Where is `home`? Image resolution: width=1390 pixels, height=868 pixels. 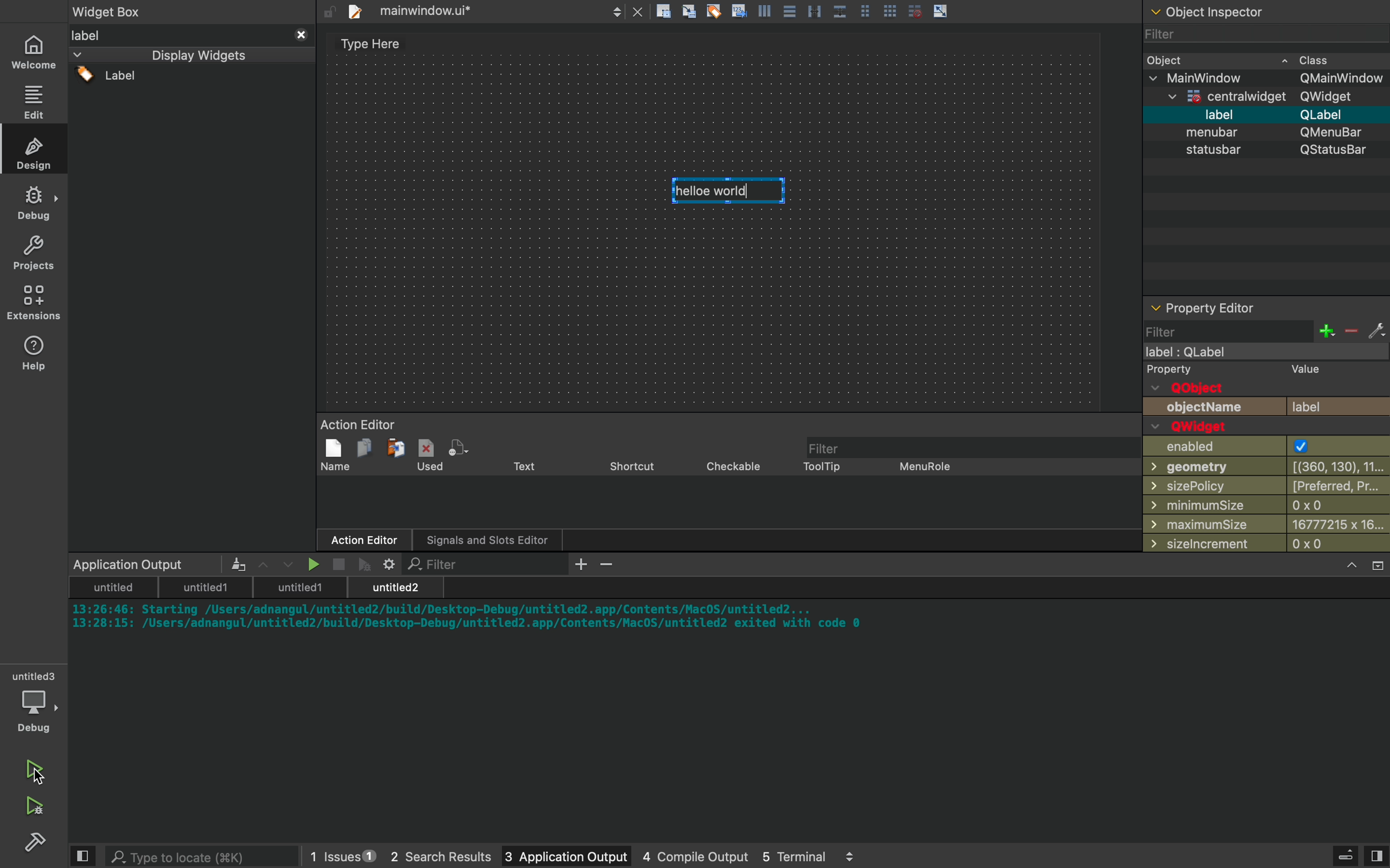
home is located at coordinates (36, 52).